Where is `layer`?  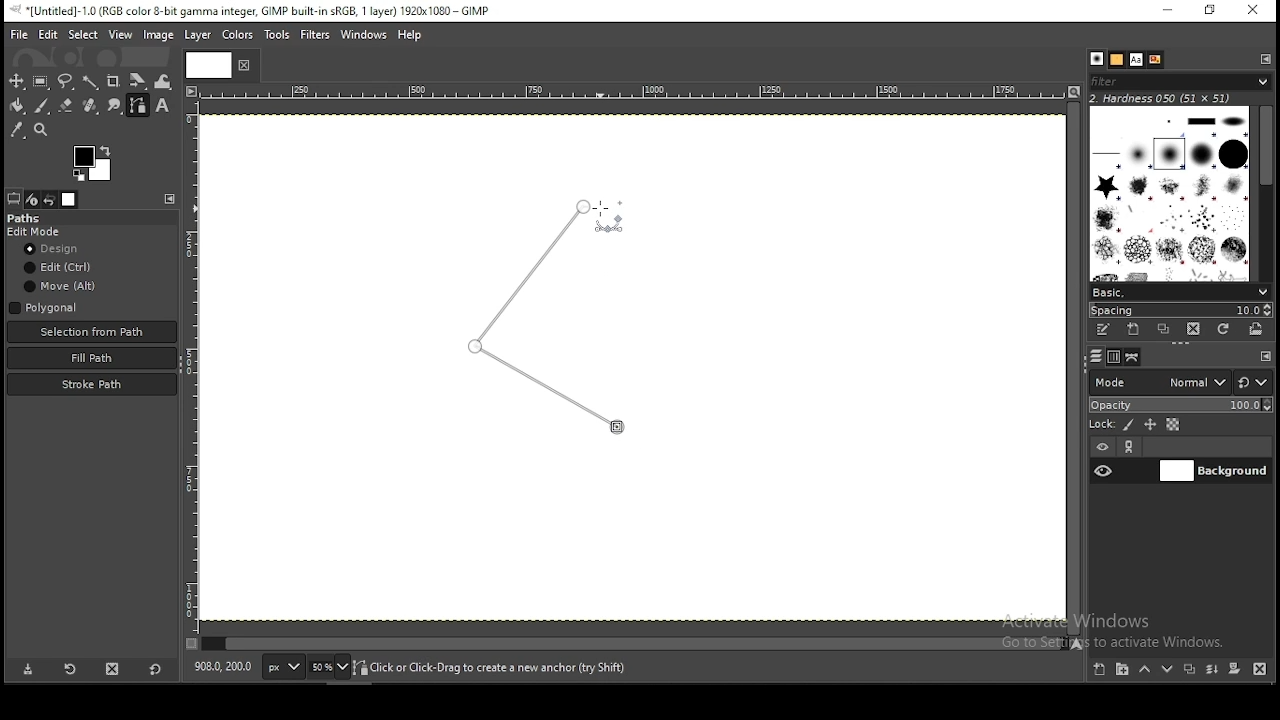 layer is located at coordinates (202, 36).